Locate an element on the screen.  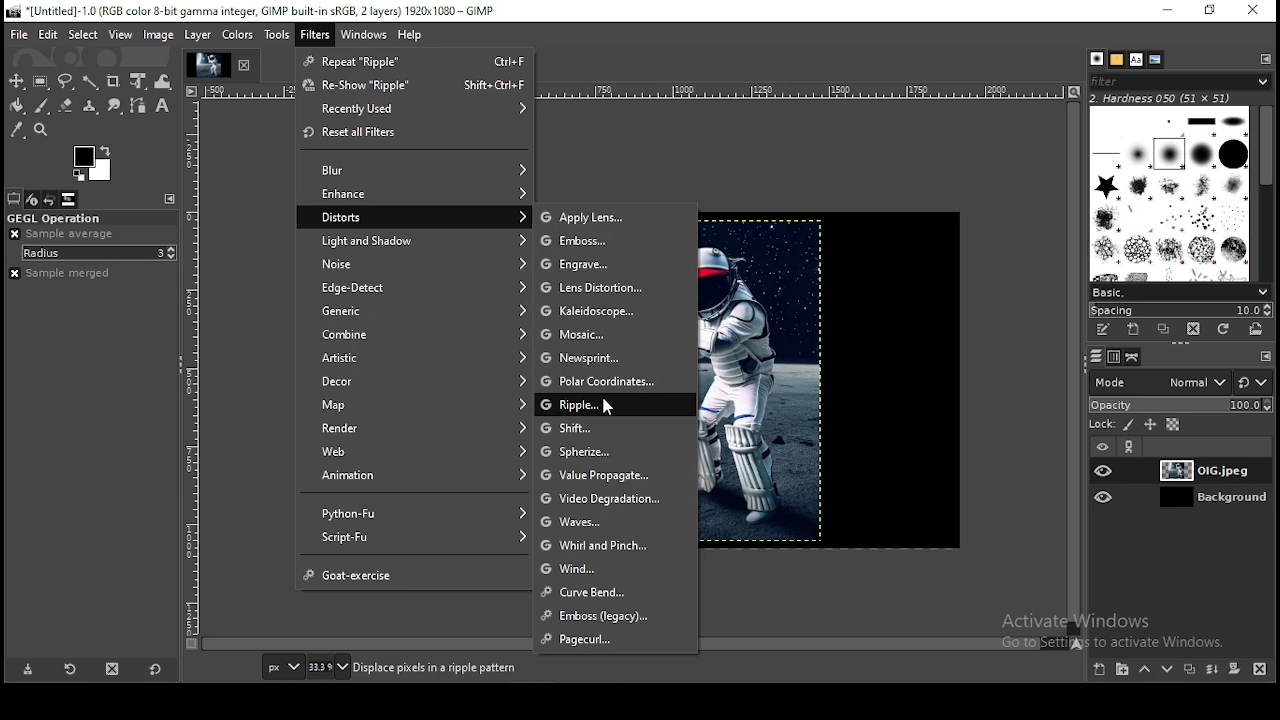
engrave is located at coordinates (609, 264).